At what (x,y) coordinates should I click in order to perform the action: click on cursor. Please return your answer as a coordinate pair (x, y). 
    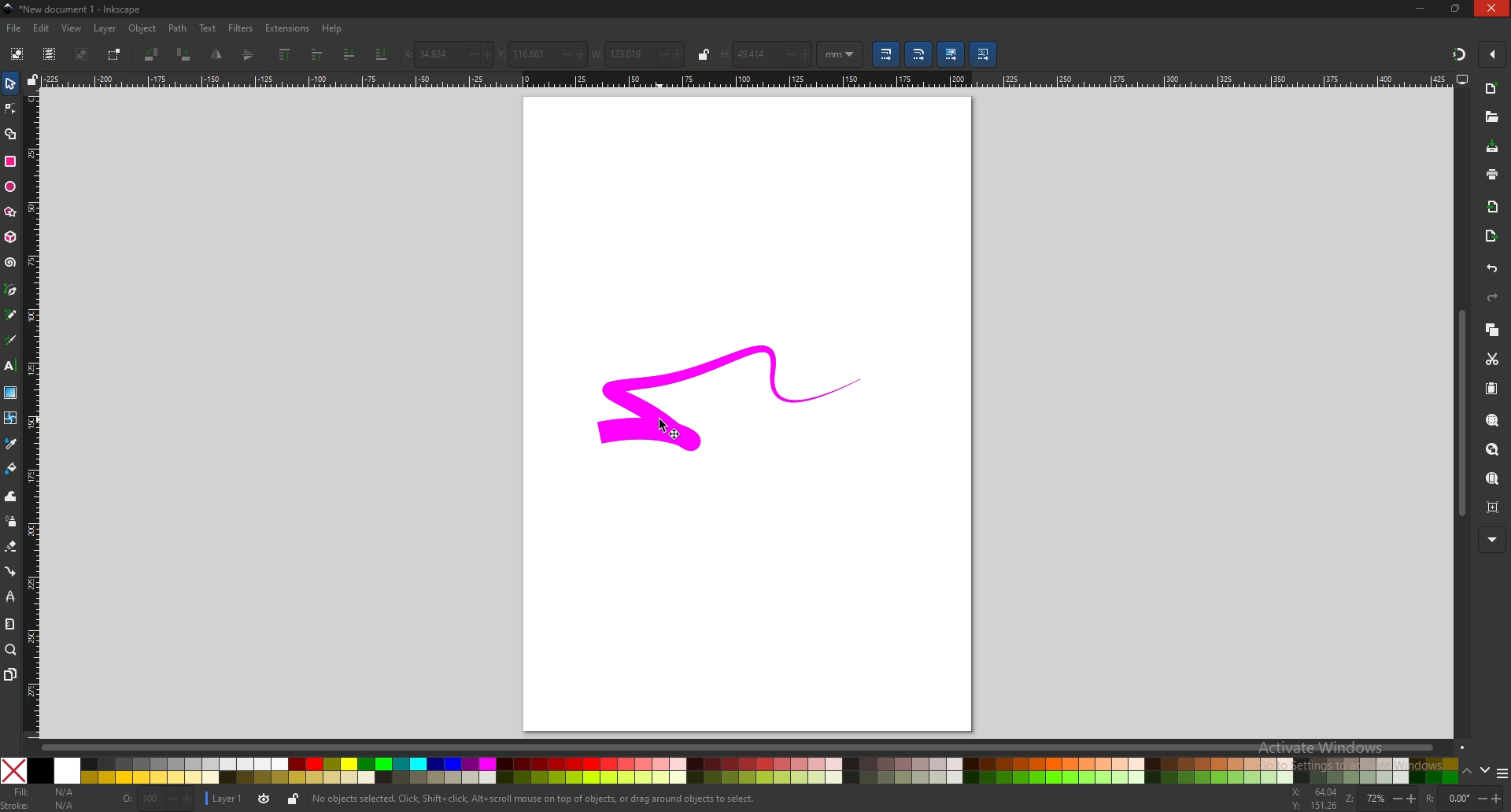
    Looking at the image, I should click on (663, 425).